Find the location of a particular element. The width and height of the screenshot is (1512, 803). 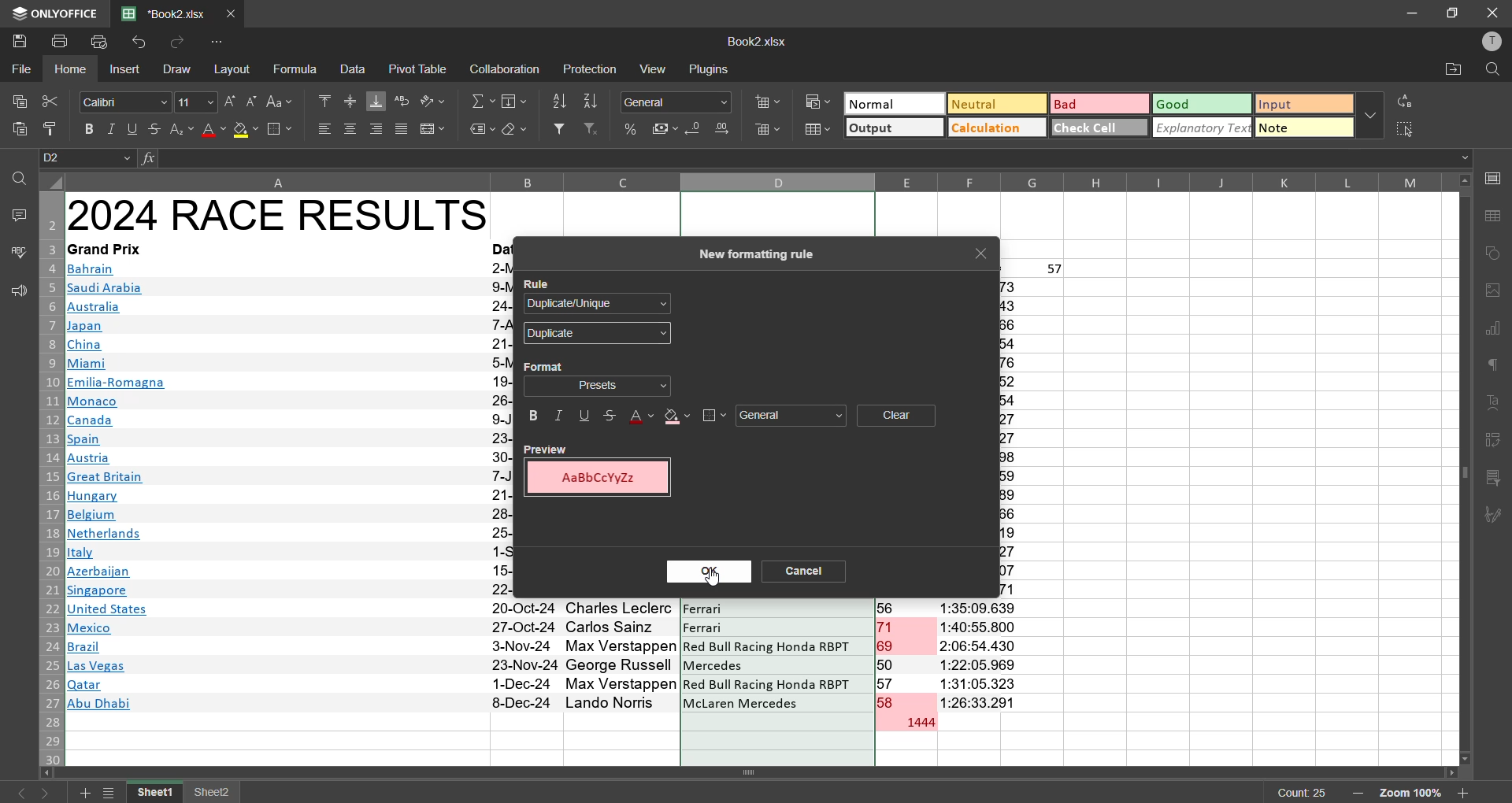

close tab is located at coordinates (235, 12).